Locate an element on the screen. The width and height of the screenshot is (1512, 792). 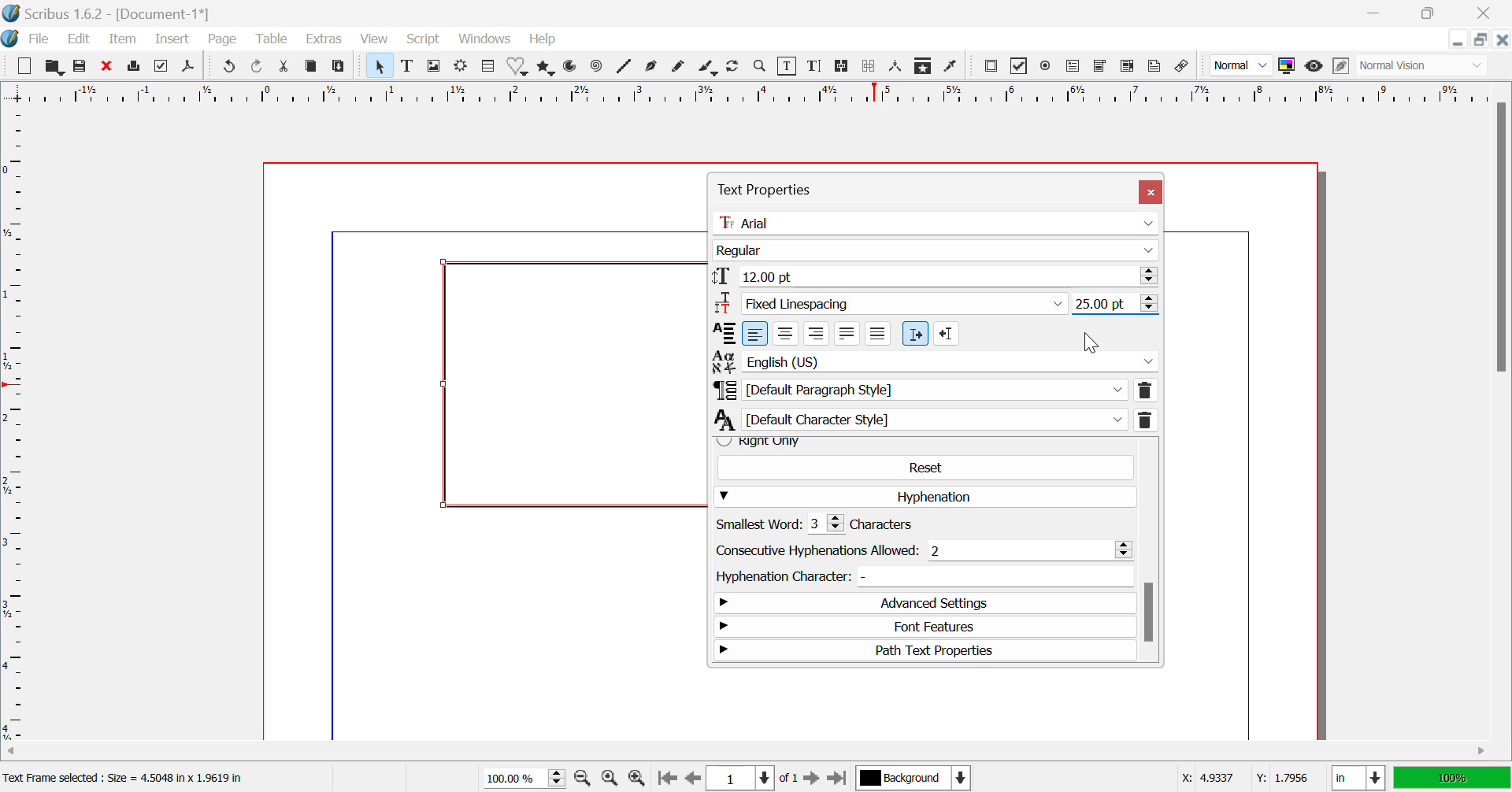
Previous Page is located at coordinates (691, 779).